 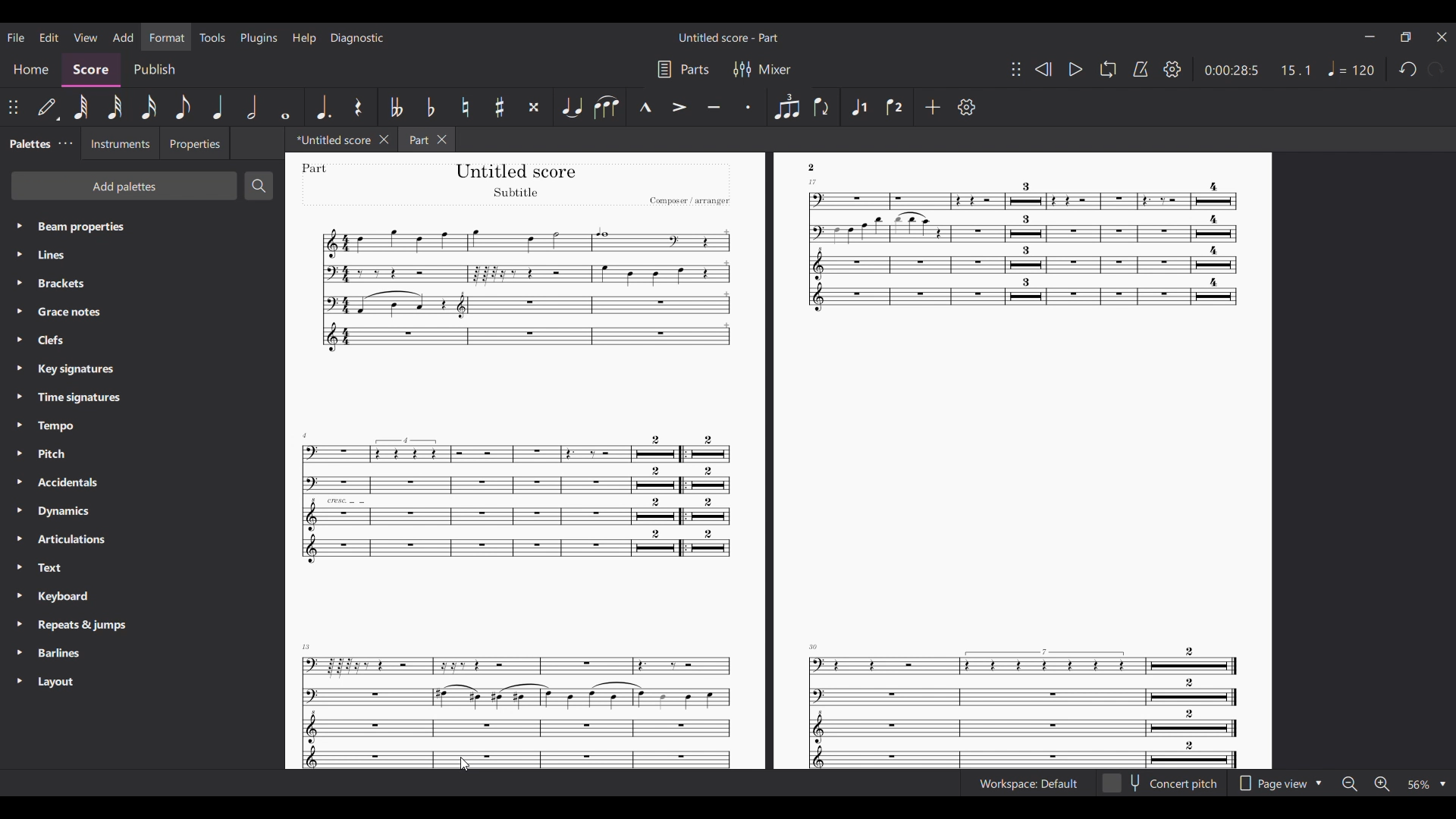 I want to click on Instruments tab, so click(x=121, y=144).